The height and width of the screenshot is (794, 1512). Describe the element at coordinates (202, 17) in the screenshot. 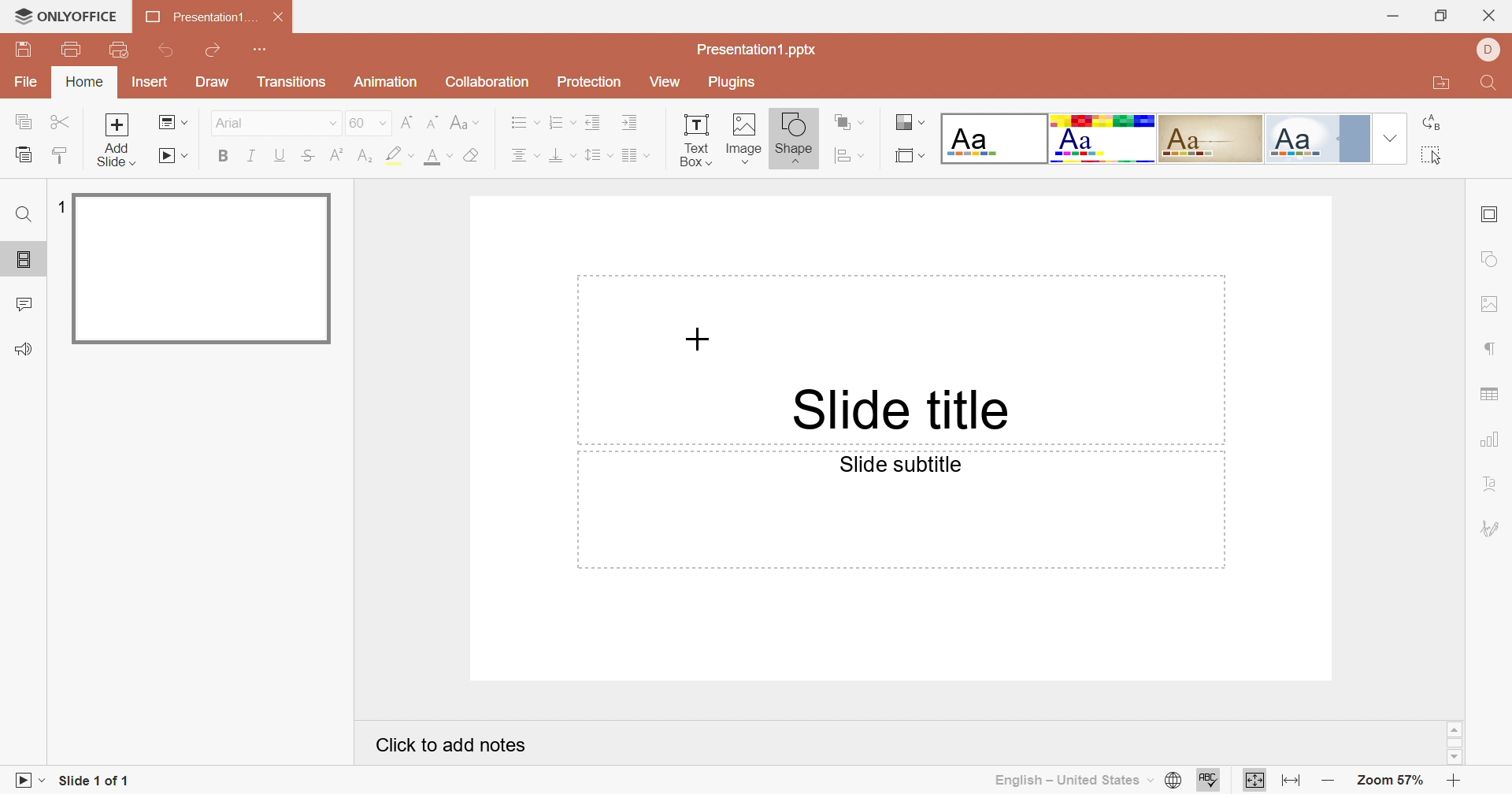

I see `Presentation1...` at that location.